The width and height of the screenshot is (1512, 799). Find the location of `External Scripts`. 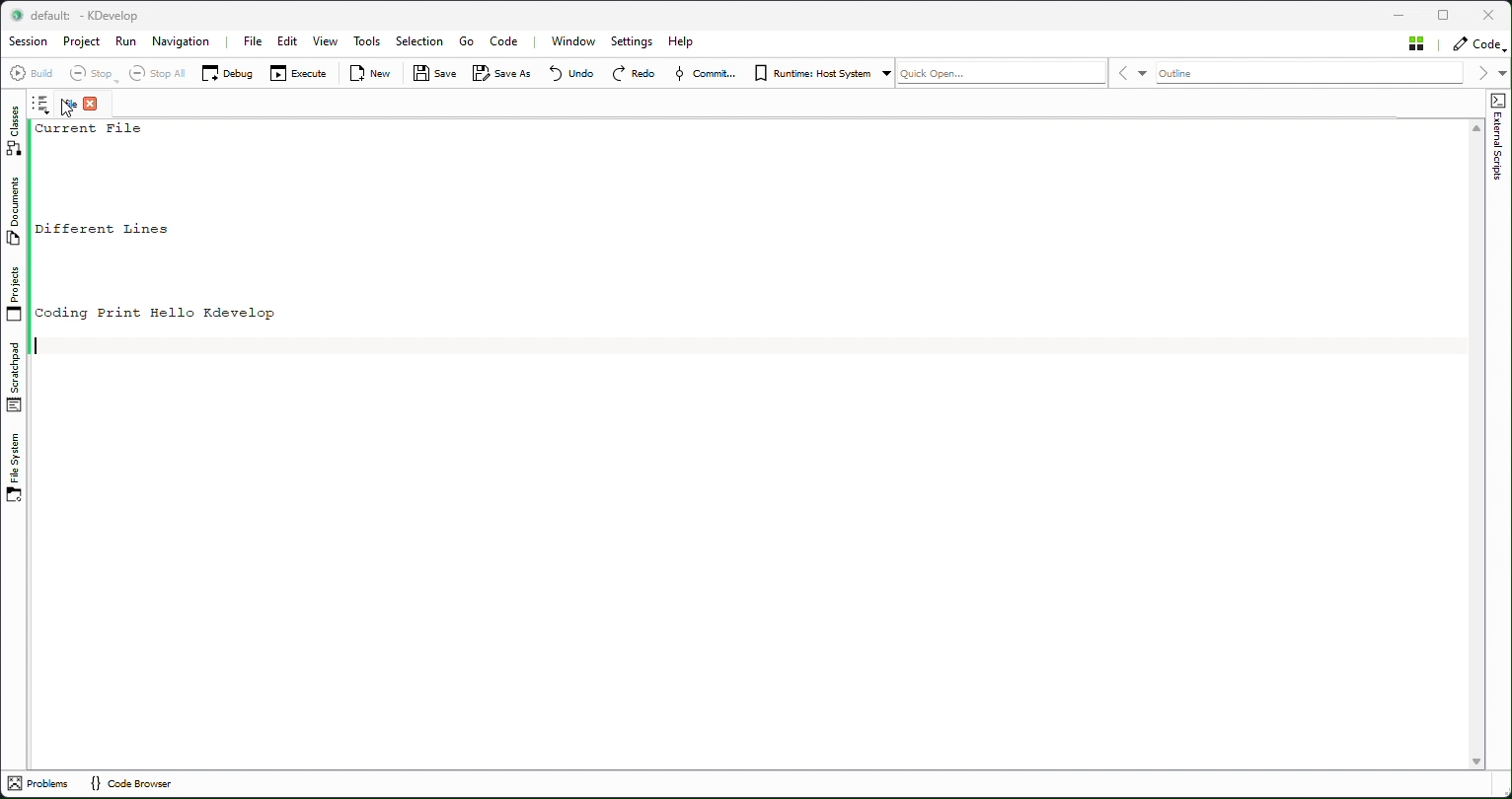

External Scripts is located at coordinates (1500, 178).